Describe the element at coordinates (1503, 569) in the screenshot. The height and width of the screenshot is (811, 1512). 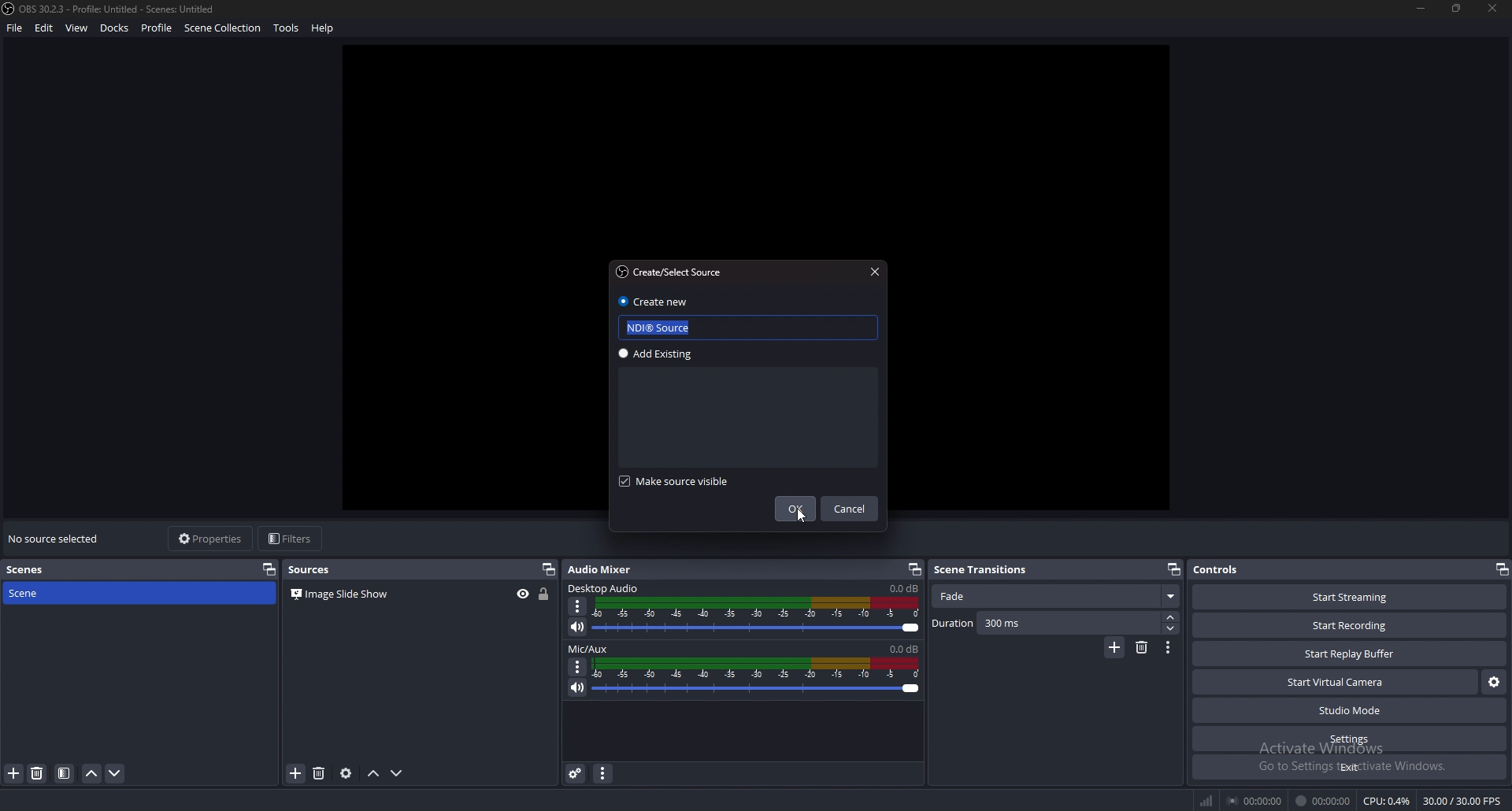
I see `pop out` at that location.